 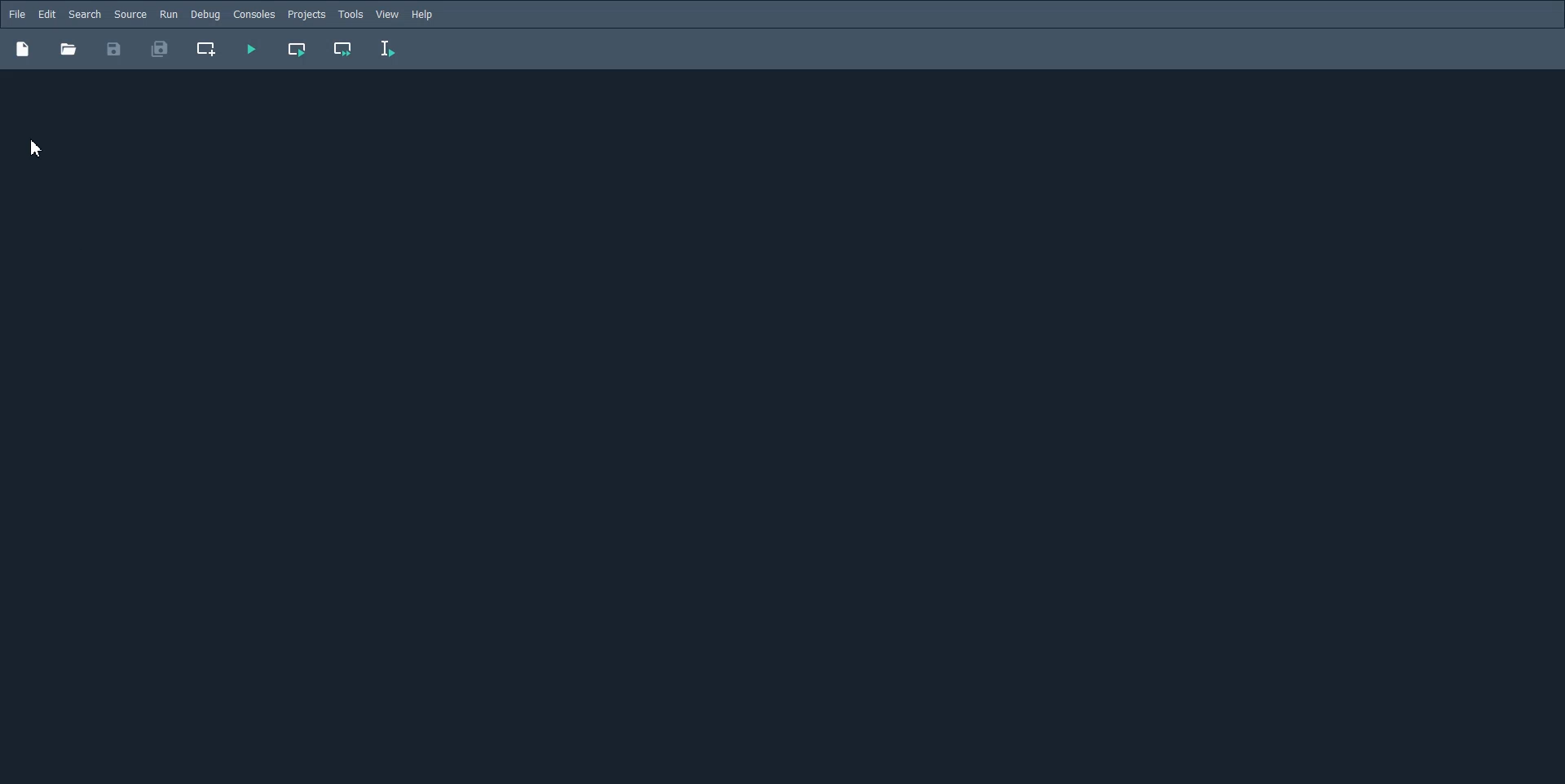 I want to click on Run File, so click(x=251, y=49).